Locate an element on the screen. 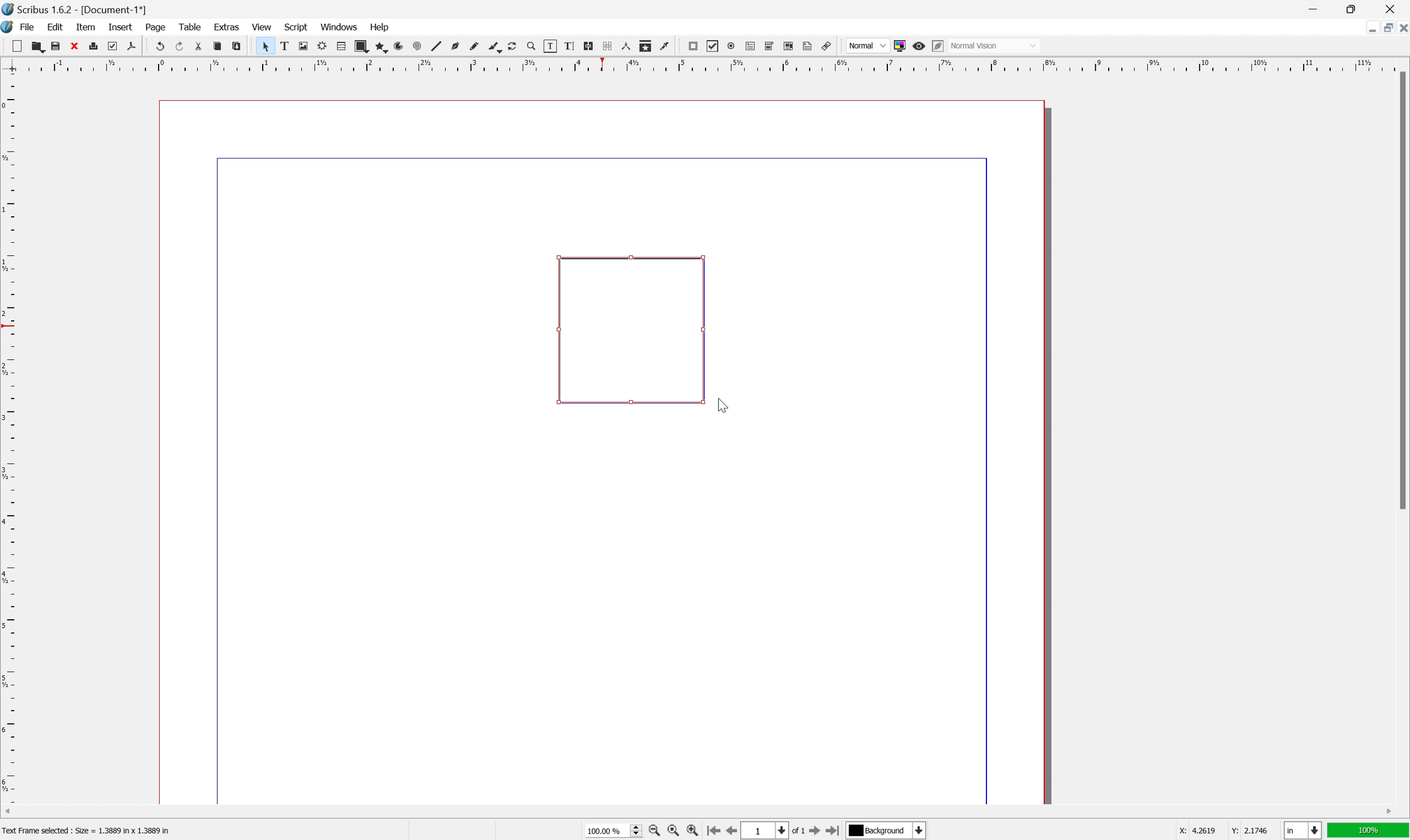  pdf list box is located at coordinates (790, 45).